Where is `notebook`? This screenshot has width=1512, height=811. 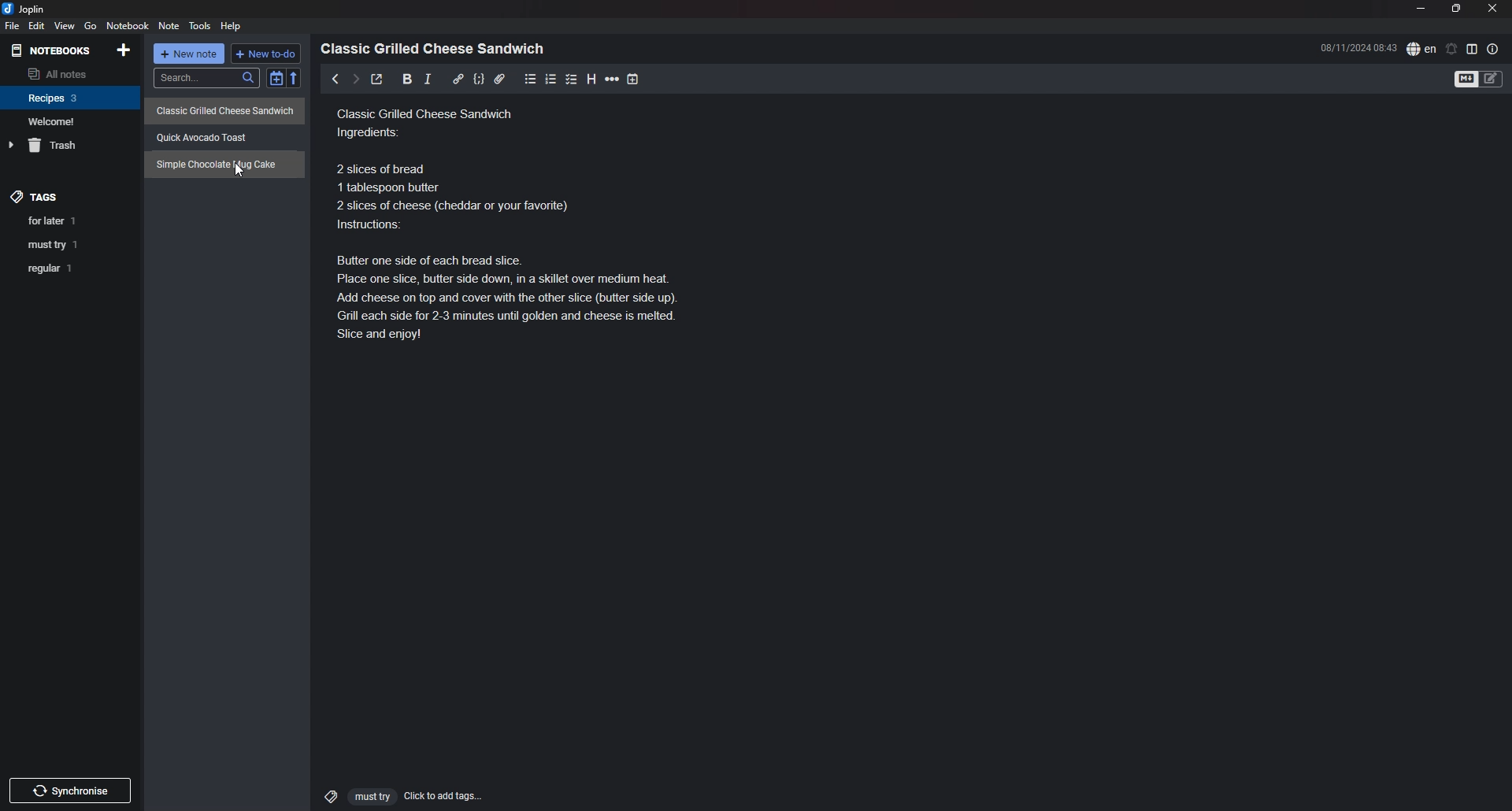 notebook is located at coordinates (129, 25).